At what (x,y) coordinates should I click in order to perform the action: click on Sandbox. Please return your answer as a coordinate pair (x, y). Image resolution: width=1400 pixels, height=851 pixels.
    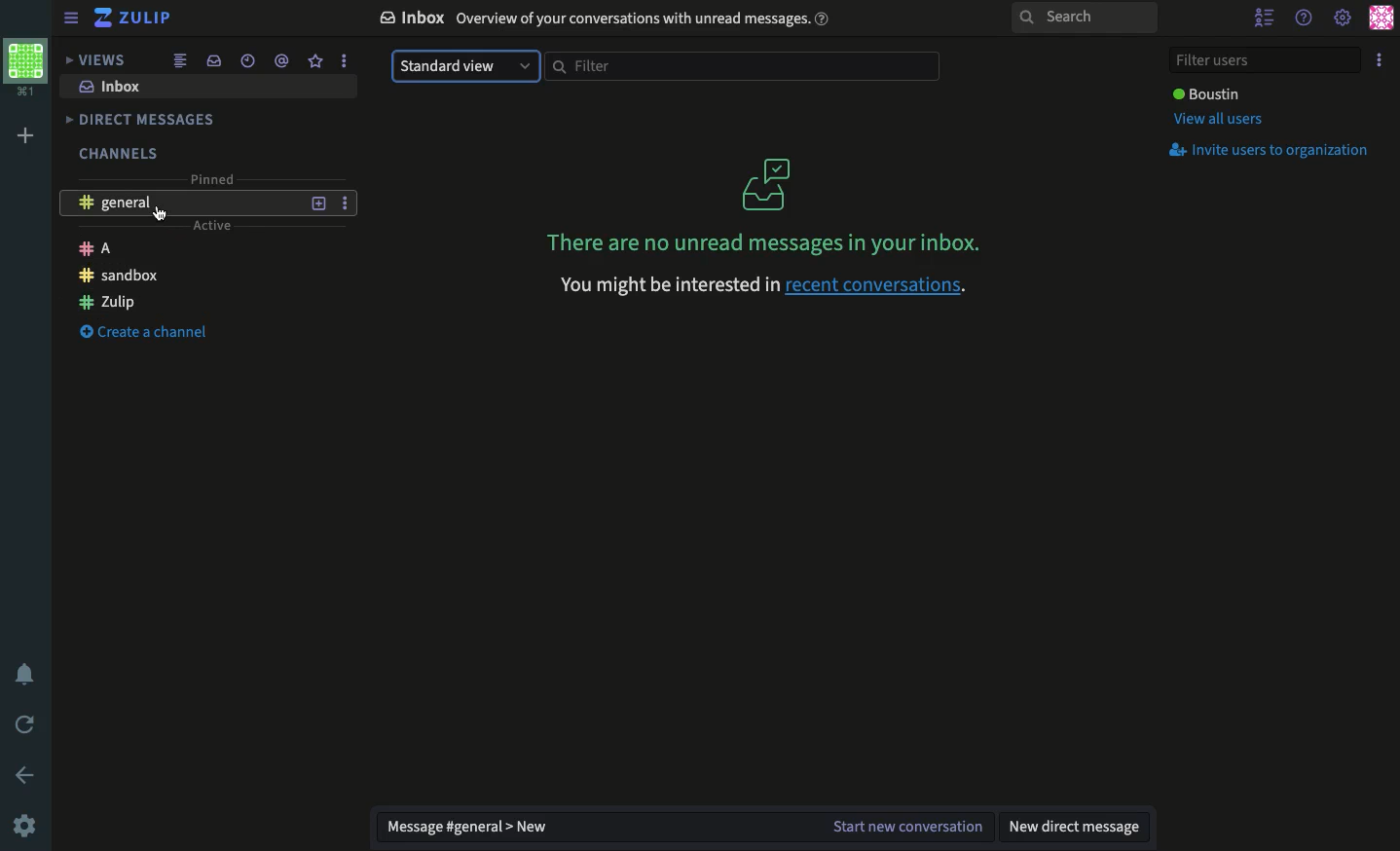
    Looking at the image, I should click on (120, 276).